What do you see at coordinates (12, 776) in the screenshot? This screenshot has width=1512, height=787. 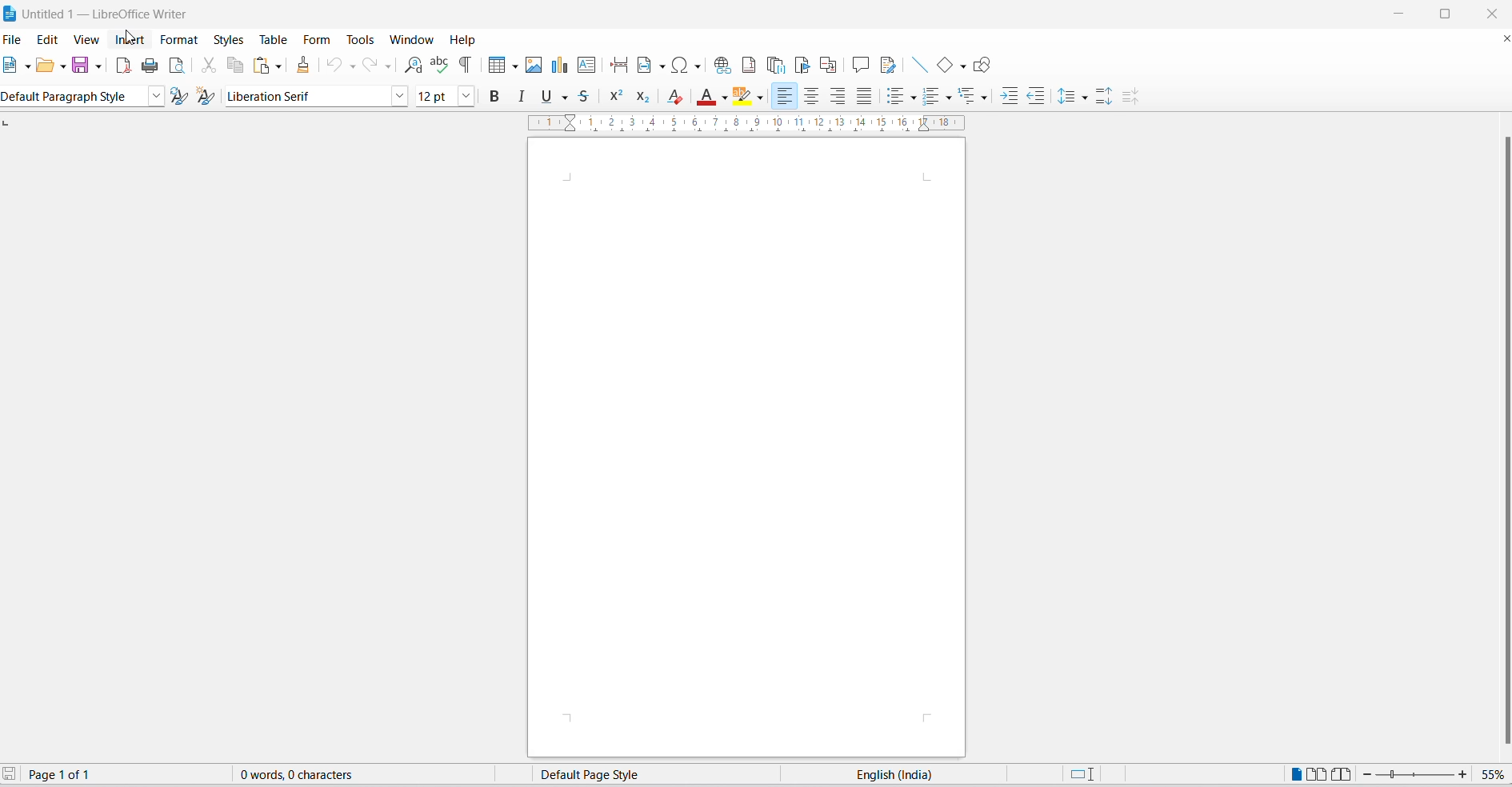 I see `save` at bounding box center [12, 776].